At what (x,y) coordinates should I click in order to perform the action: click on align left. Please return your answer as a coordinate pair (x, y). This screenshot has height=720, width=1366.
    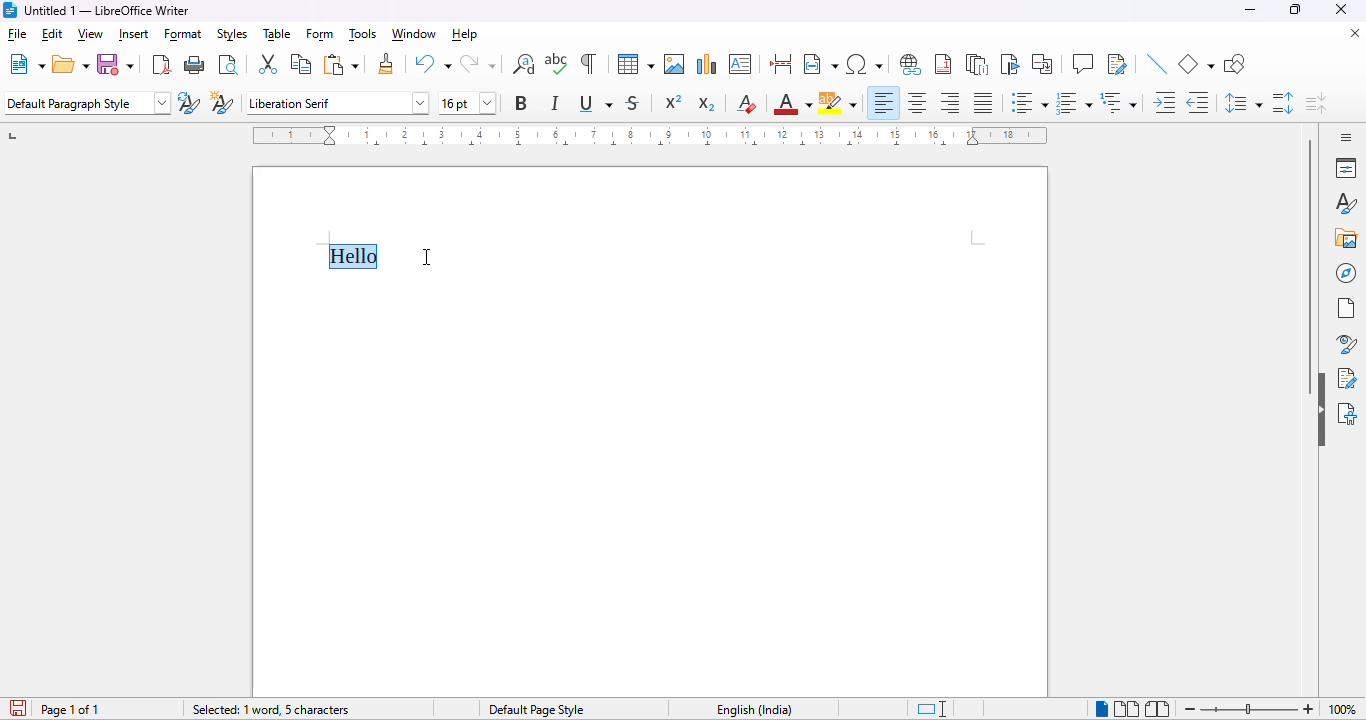
    Looking at the image, I should click on (884, 103).